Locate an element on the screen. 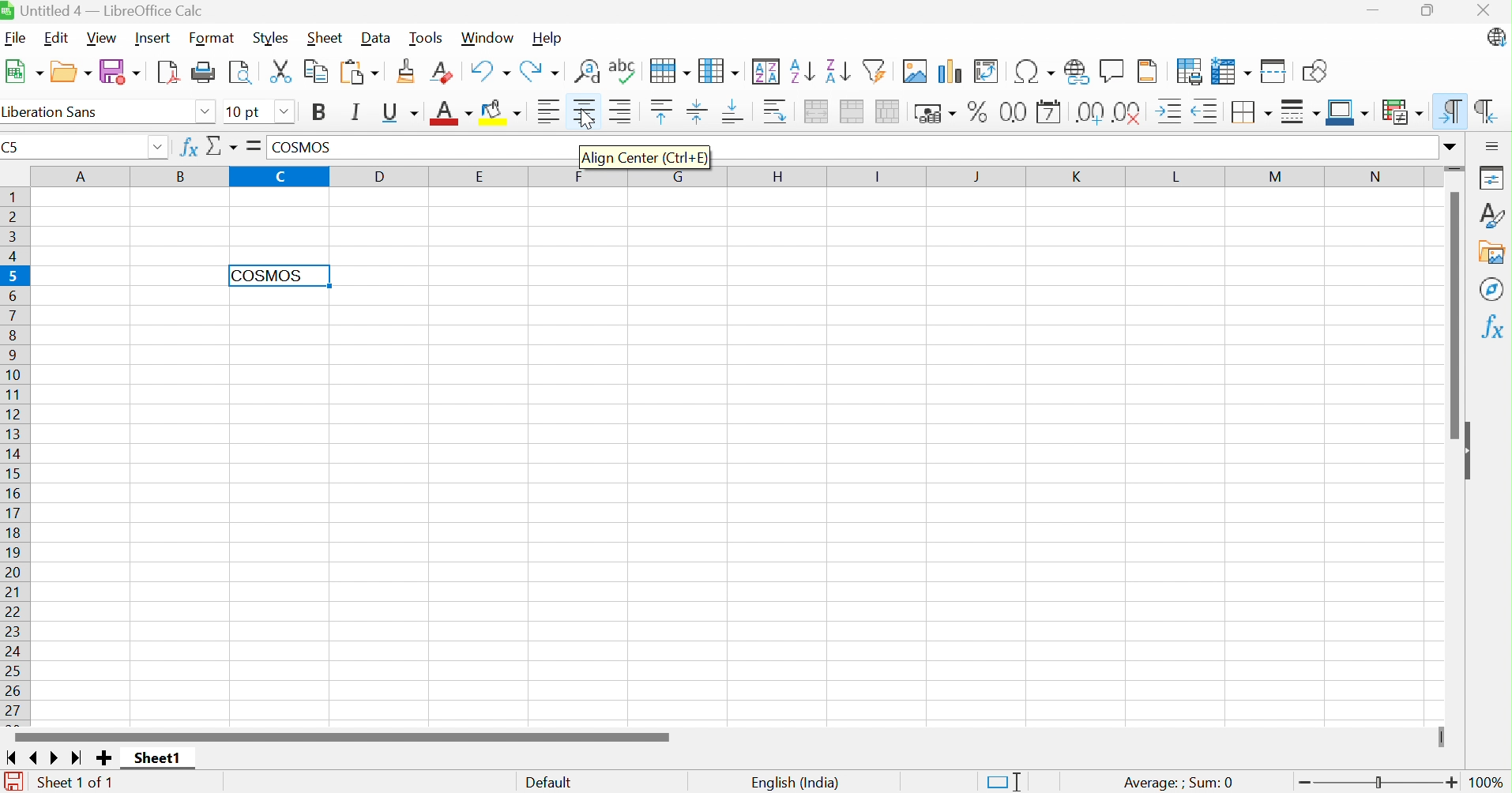 Image resolution: width=1512 pixels, height=793 pixels. Insert or Edit Pivot Table is located at coordinates (987, 71).